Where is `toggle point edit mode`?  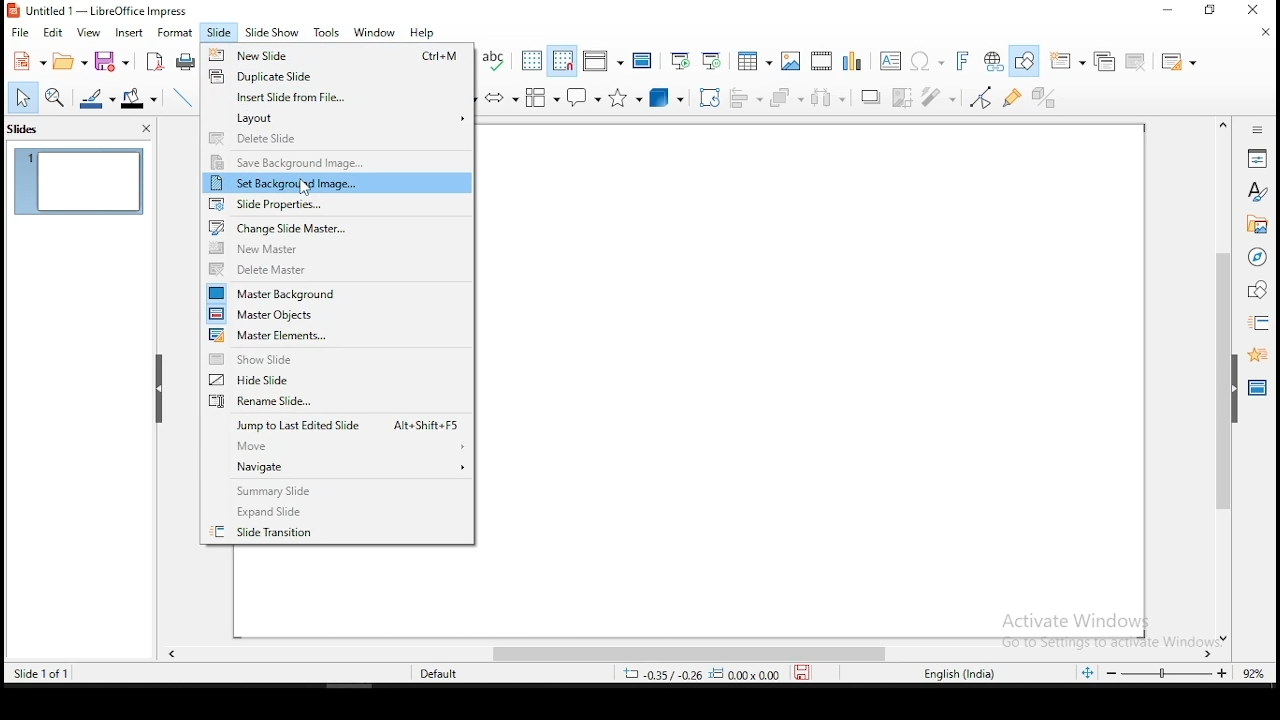 toggle point edit mode is located at coordinates (982, 96).